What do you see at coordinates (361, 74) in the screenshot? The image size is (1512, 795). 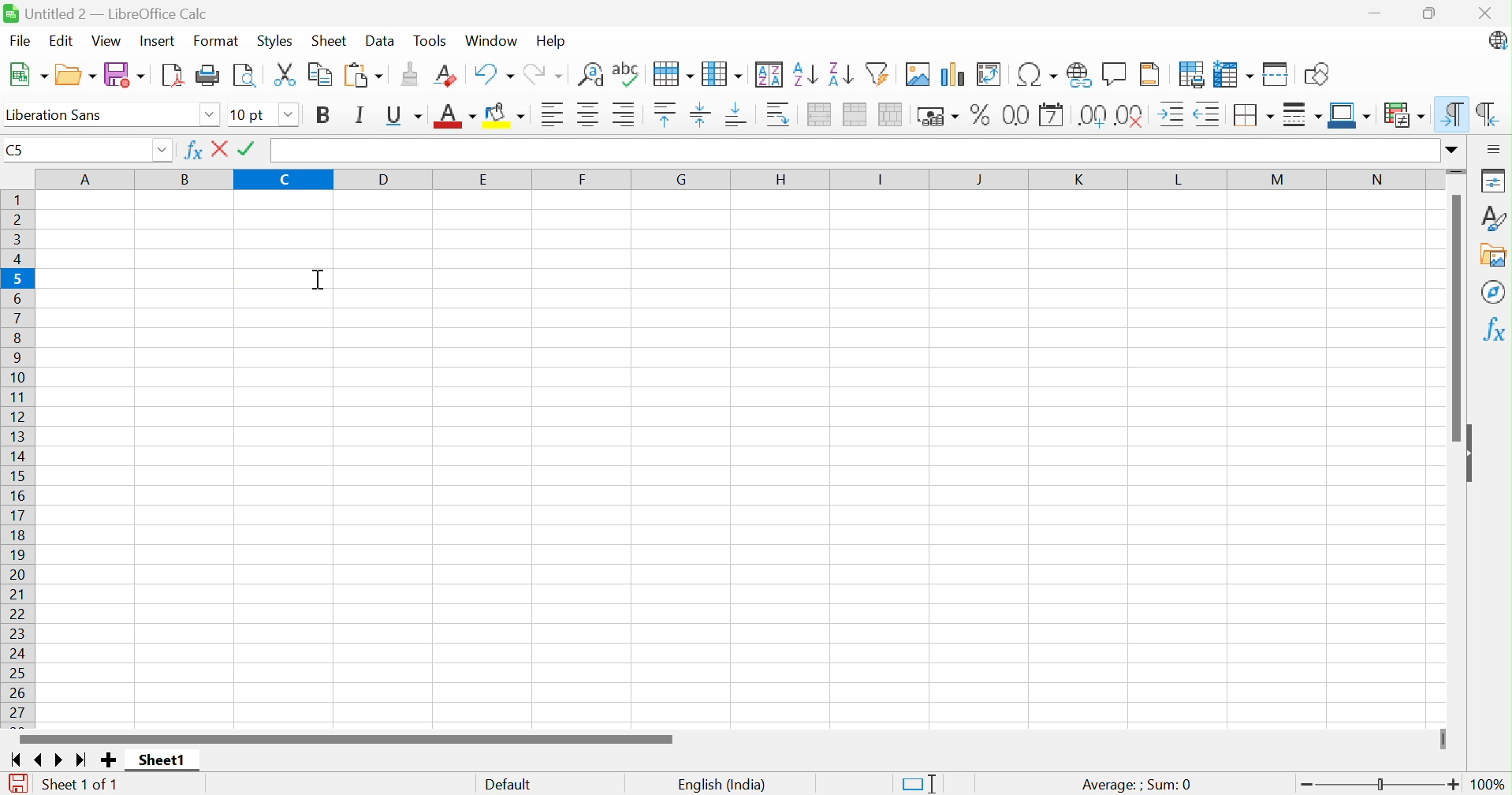 I see `Paste` at bounding box center [361, 74].